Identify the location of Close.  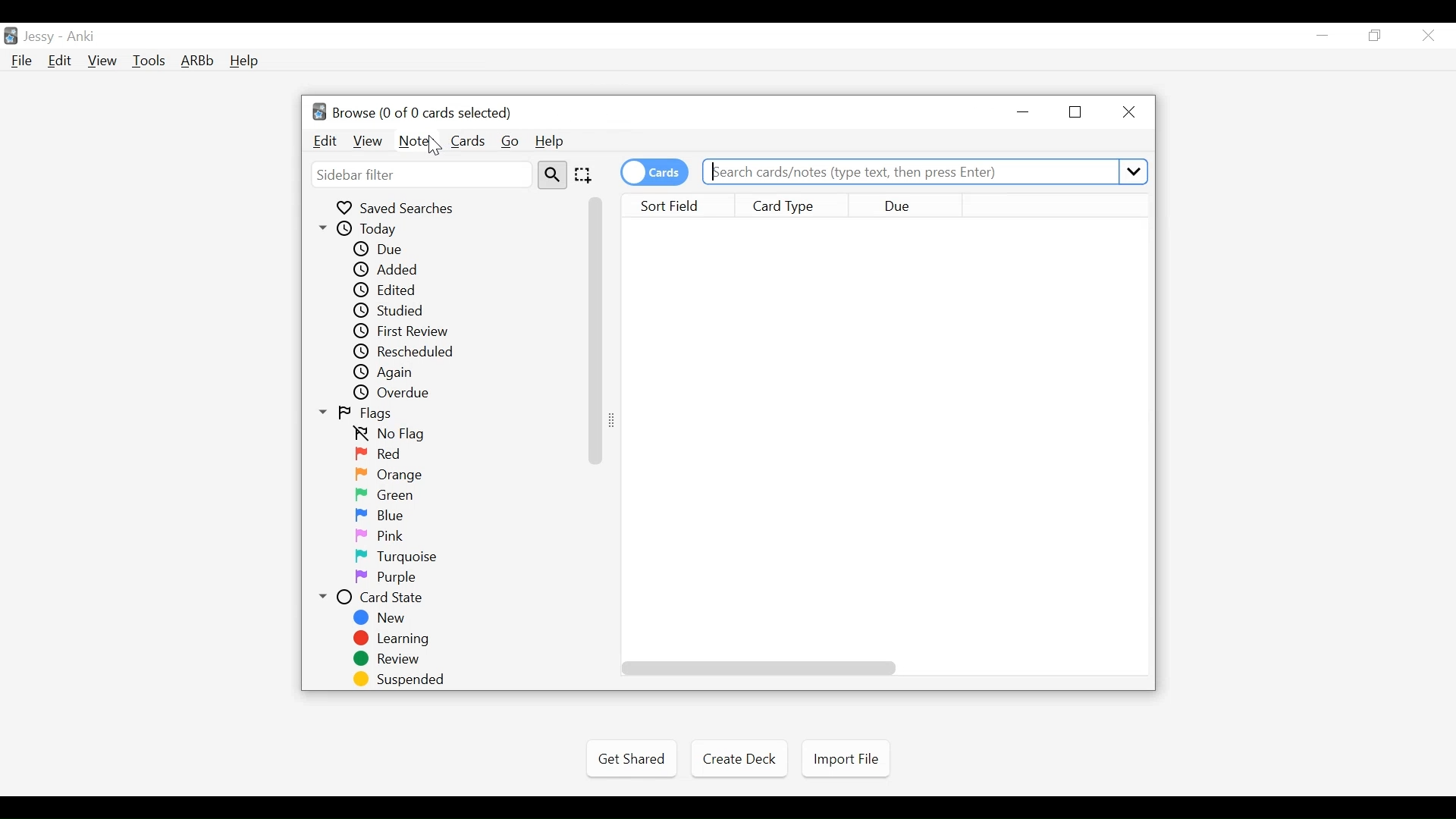
(1428, 36).